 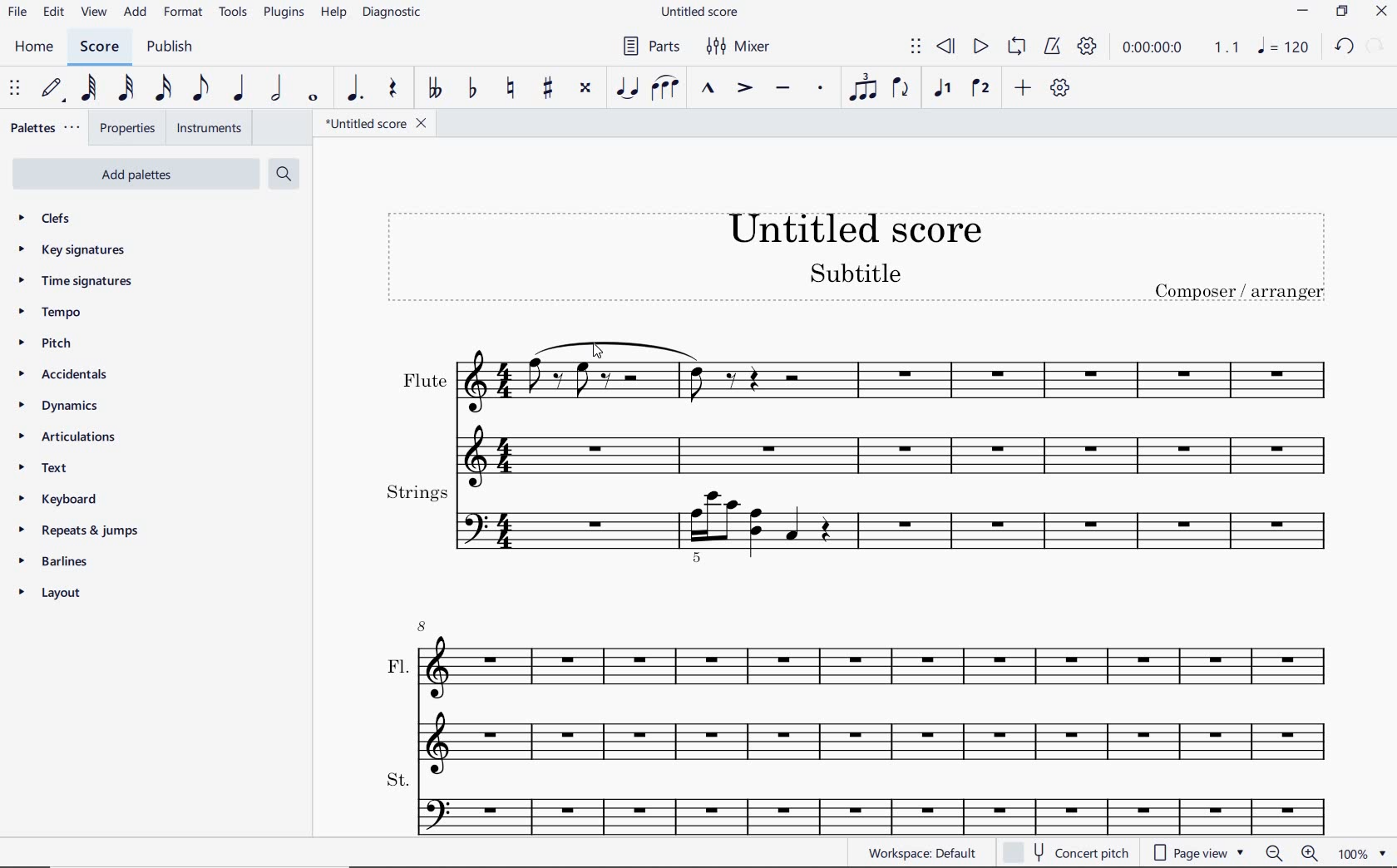 What do you see at coordinates (333, 13) in the screenshot?
I see `help` at bounding box center [333, 13].